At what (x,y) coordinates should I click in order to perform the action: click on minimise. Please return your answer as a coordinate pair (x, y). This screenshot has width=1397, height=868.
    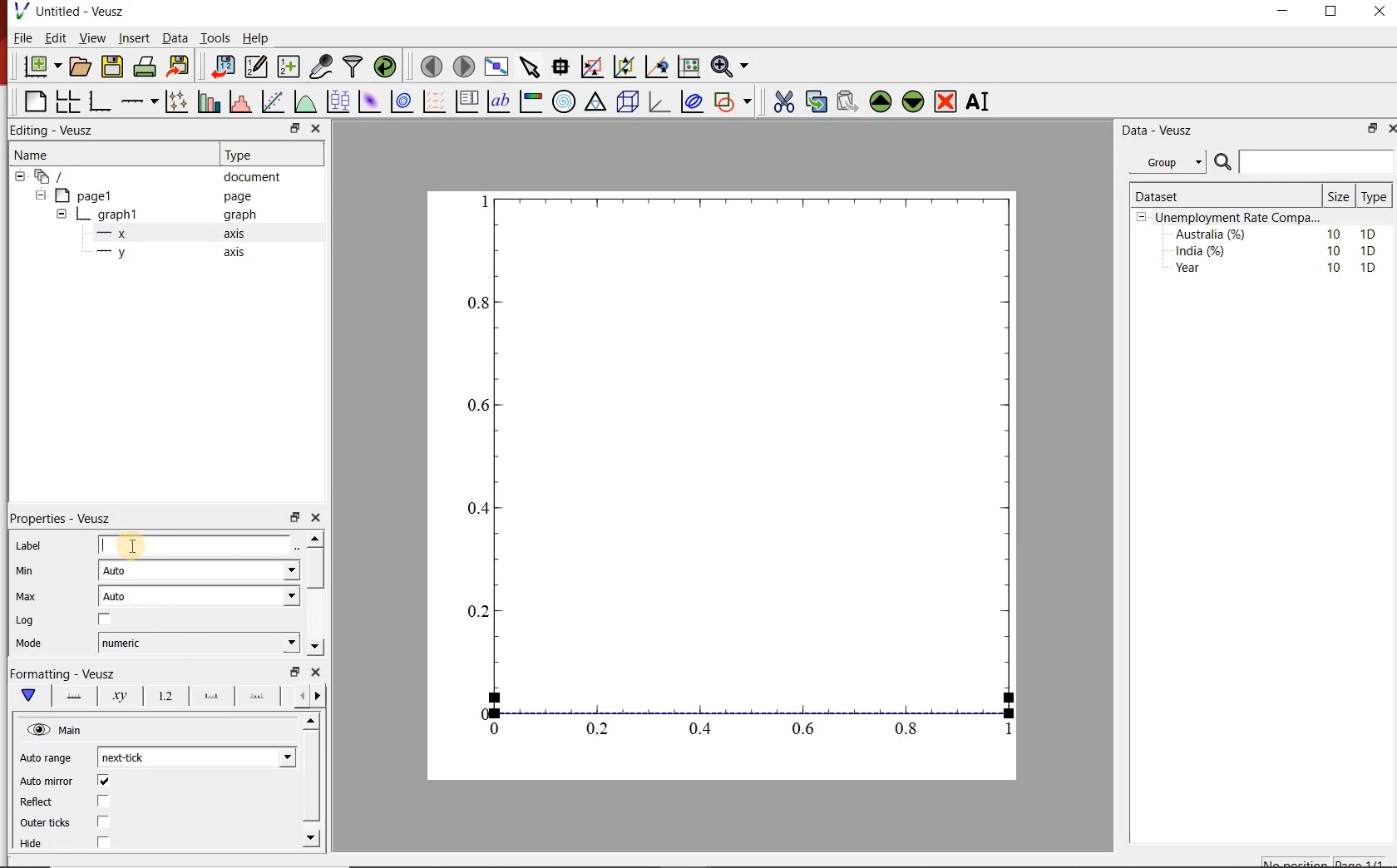
    Looking at the image, I should click on (294, 516).